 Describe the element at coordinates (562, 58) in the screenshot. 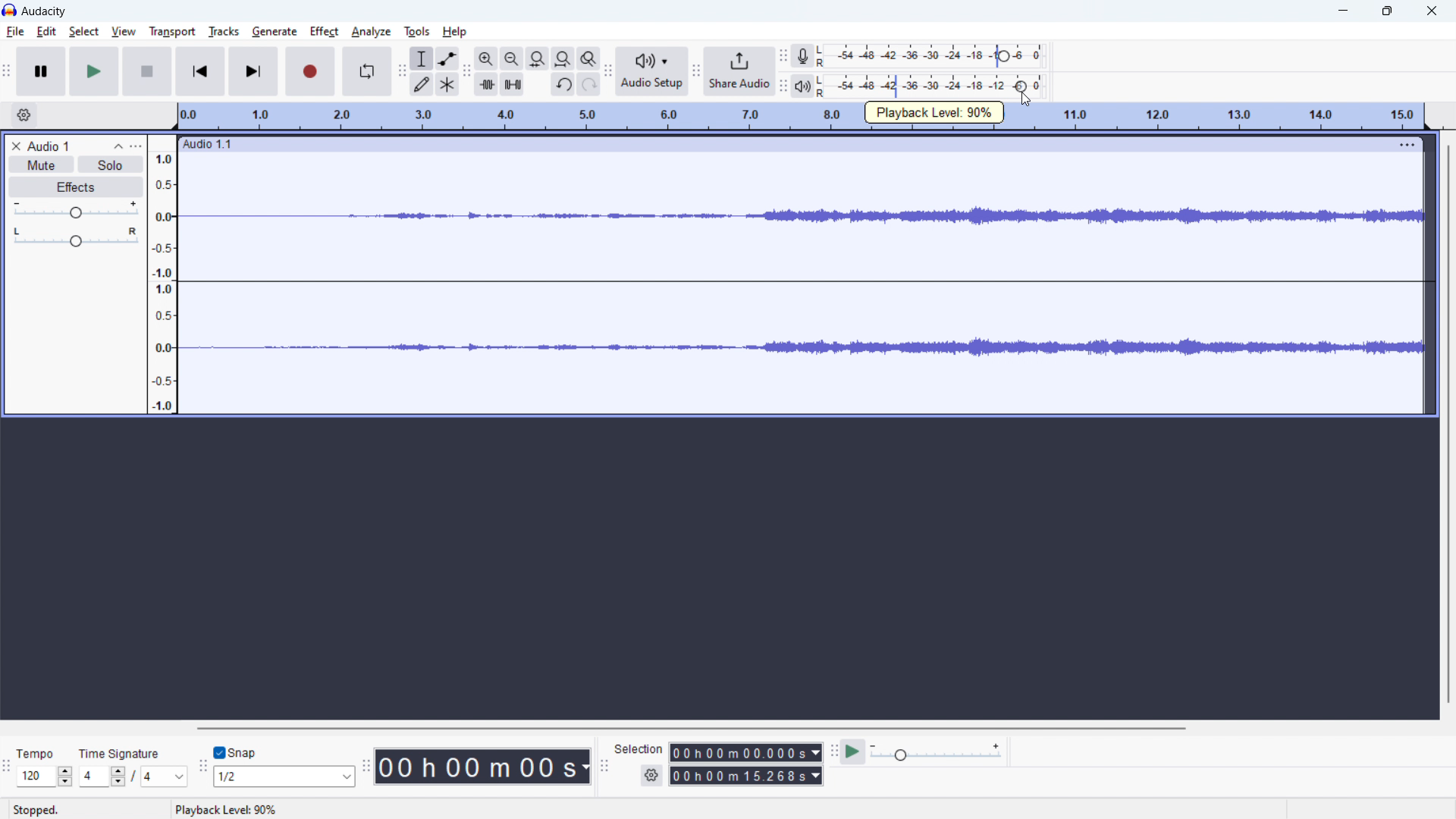

I see `fit project to width` at that location.